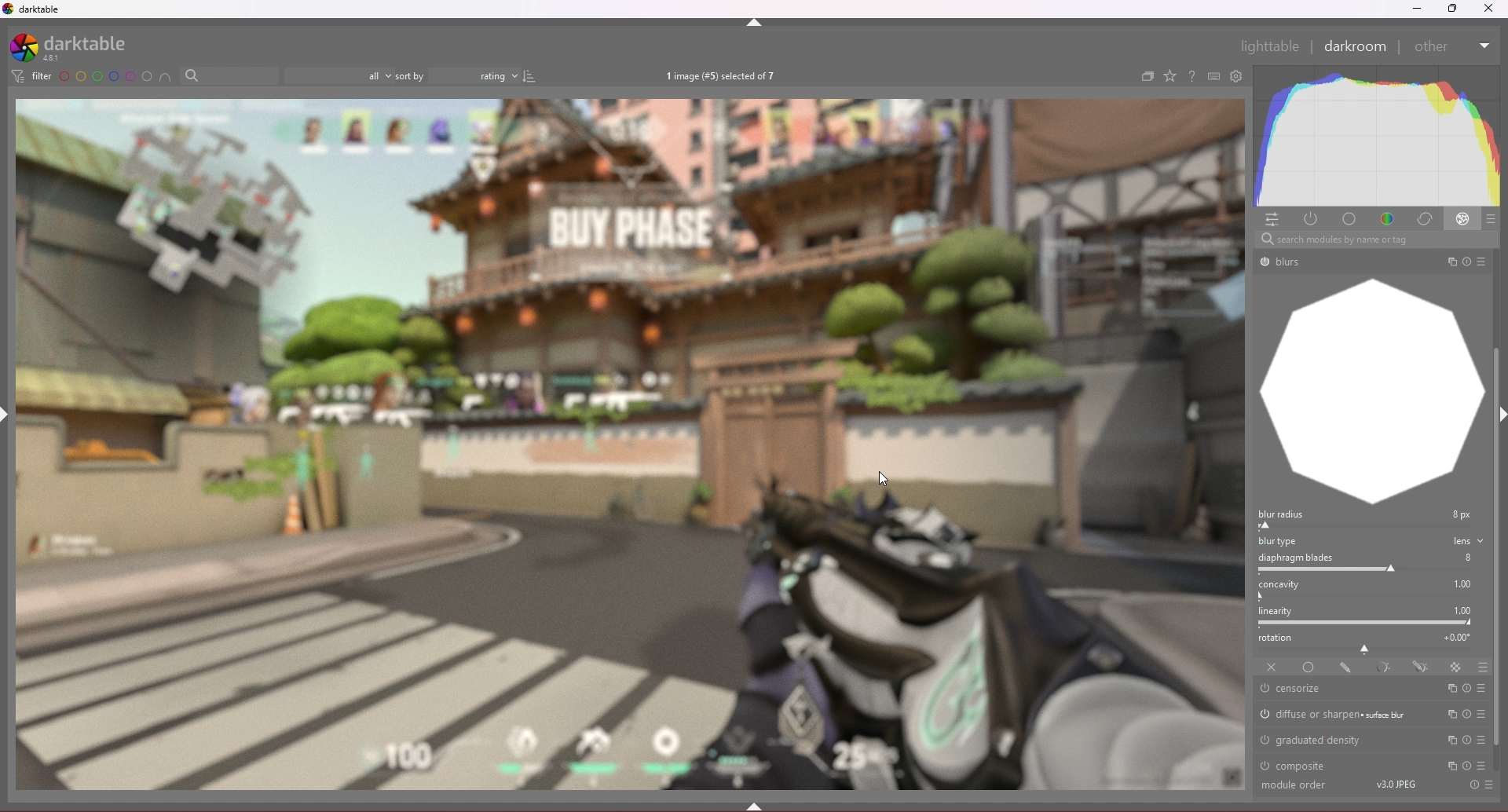  What do you see at coordinates (1271, 220) in the screenshot?
I see `quick access panel` at bounding box center [1271, 220].